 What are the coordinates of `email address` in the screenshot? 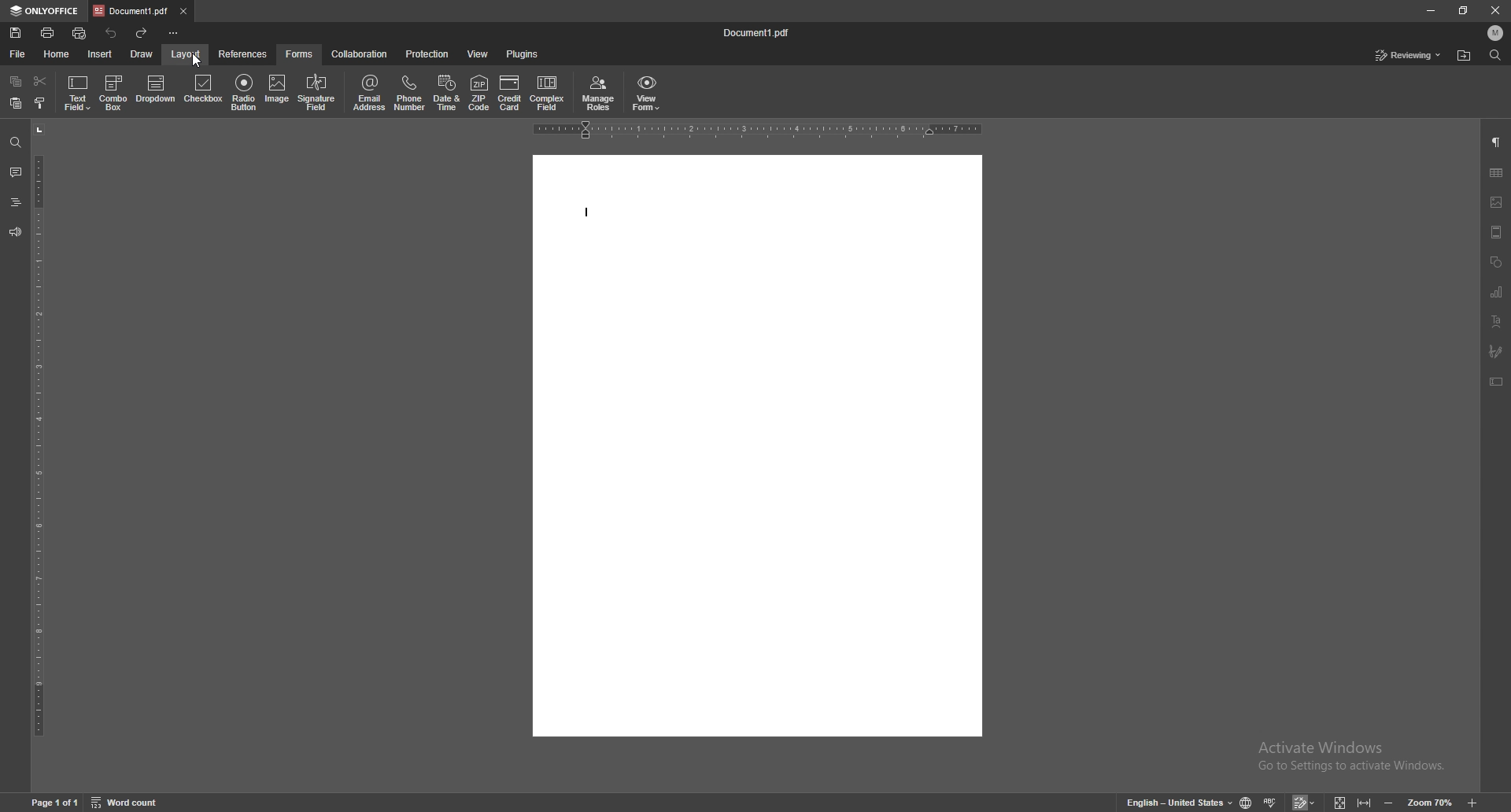 It's located at (369, 94).